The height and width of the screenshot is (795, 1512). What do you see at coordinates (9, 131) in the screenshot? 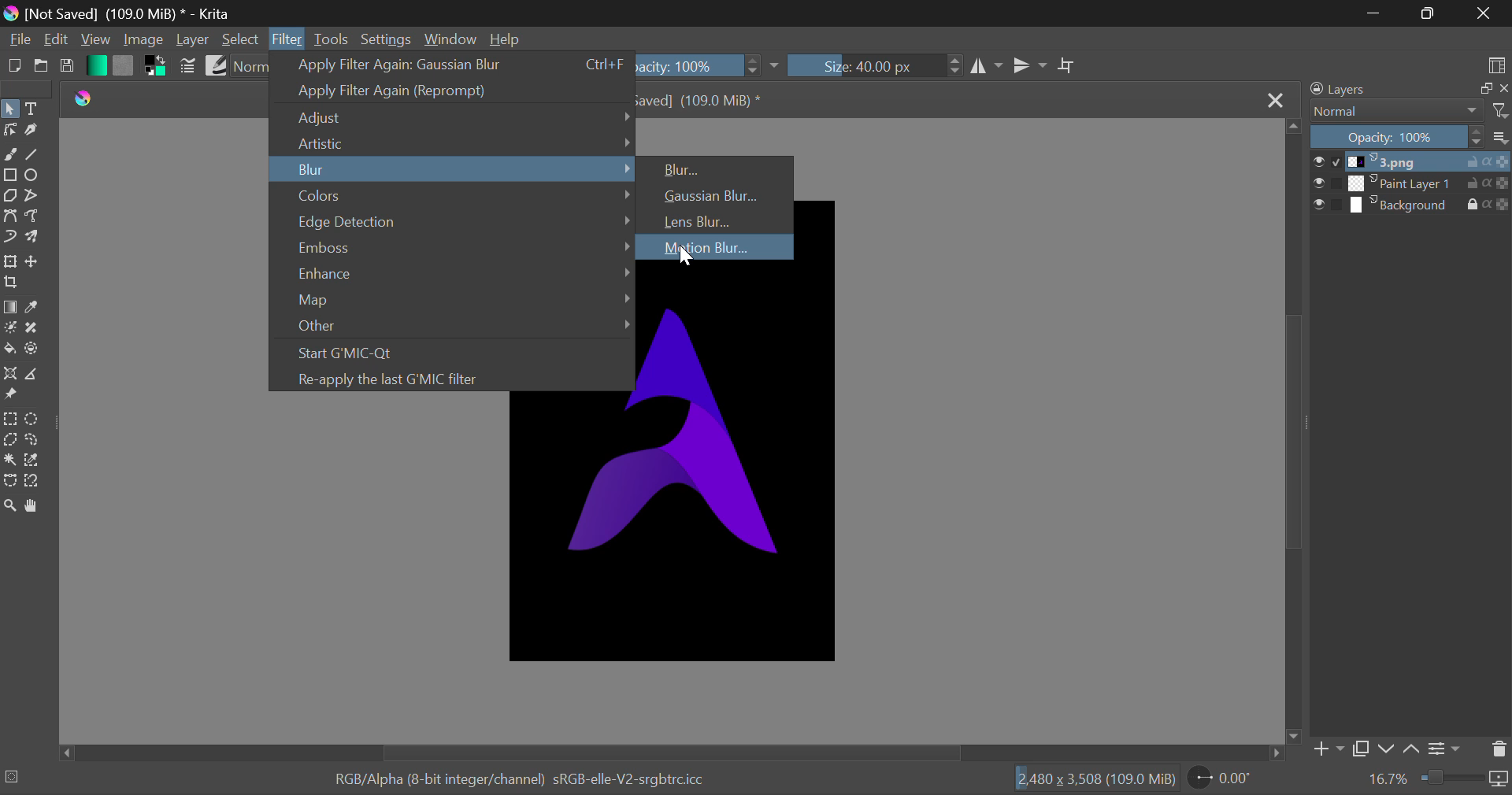
I see `Edit Shapes` at bounding box center [9, 131].